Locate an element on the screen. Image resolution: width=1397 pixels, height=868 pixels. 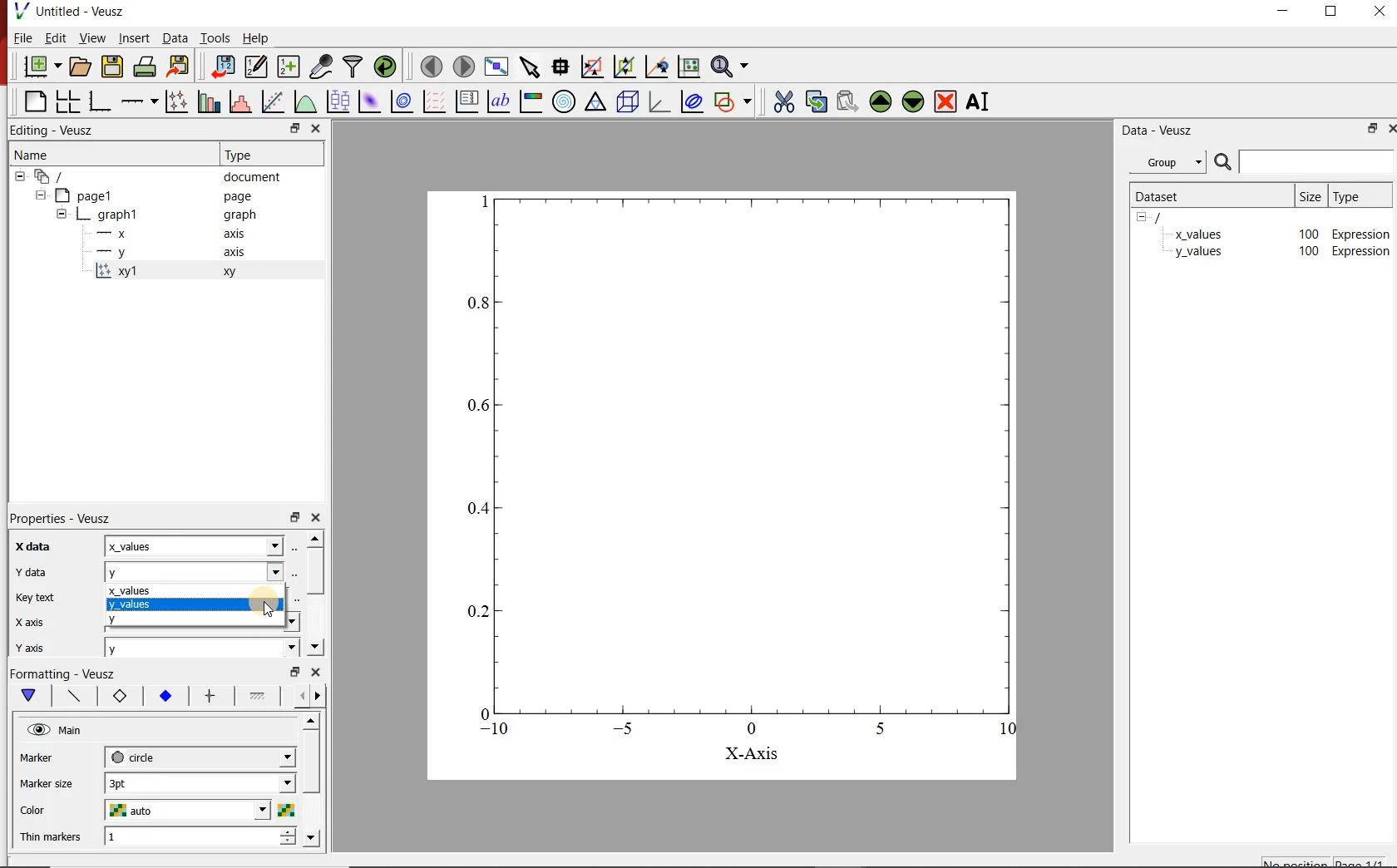
export to graphics format is located at coordinates (180, 66).